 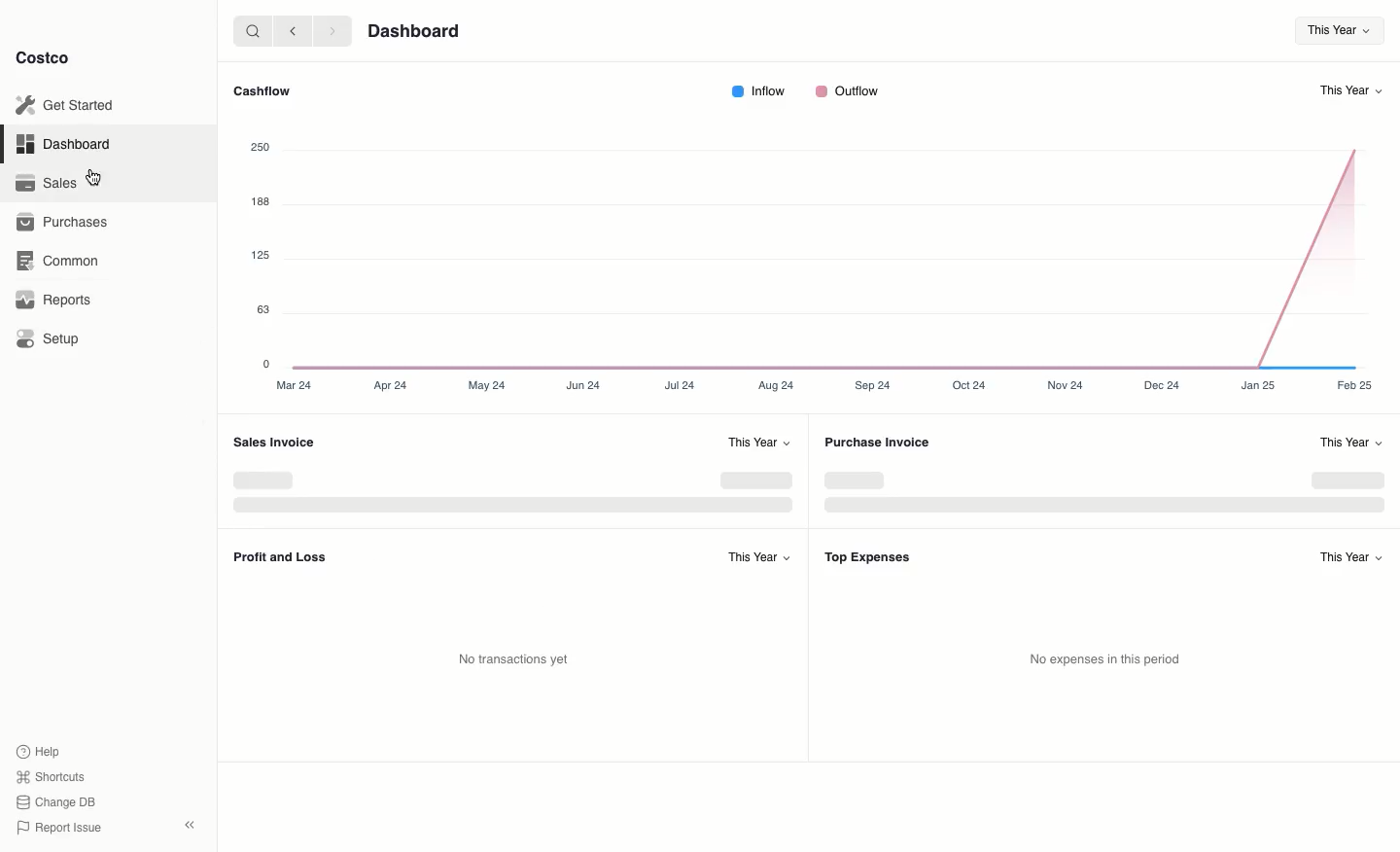 I want to click on Graph, so click(x=826, y=247).